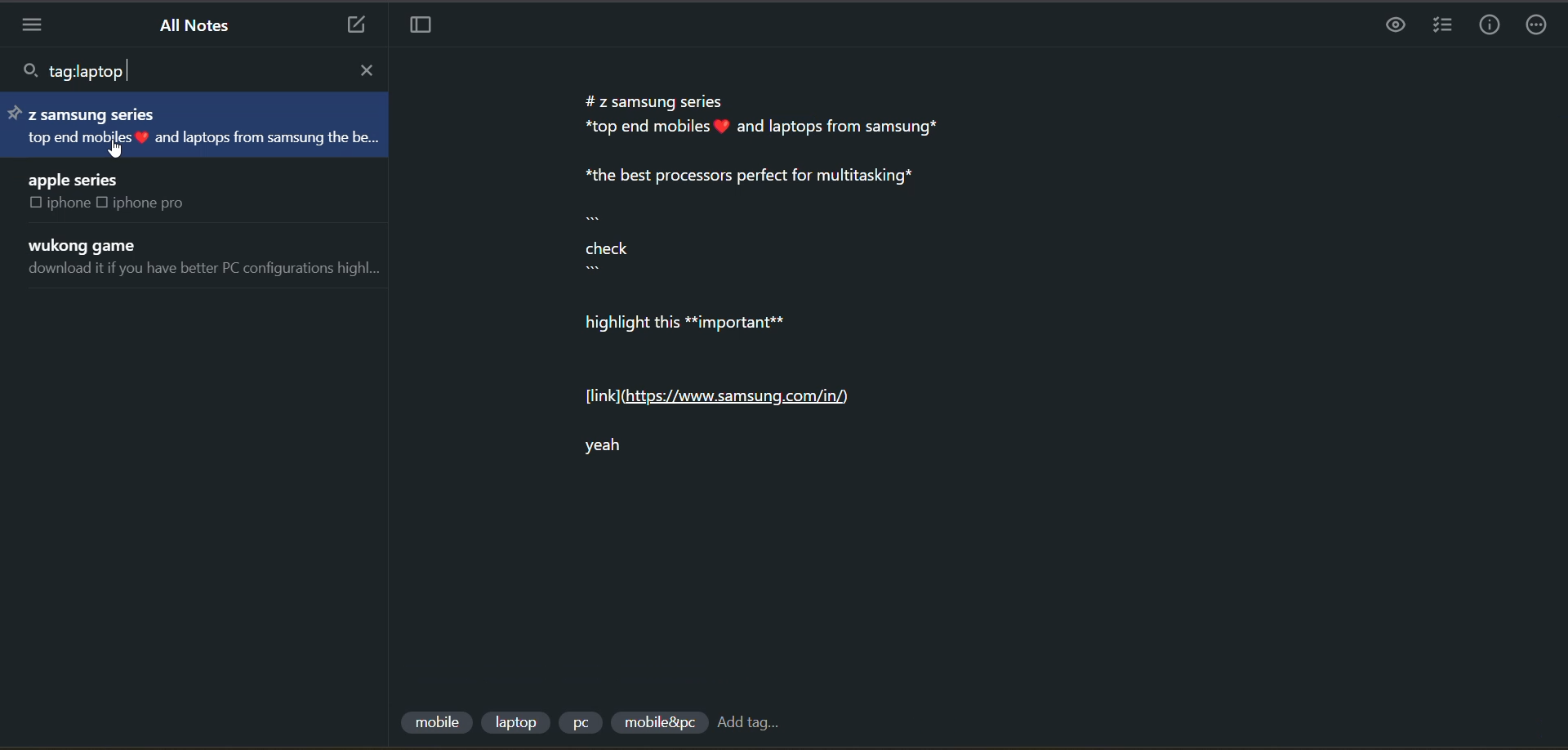  What do you see at coordinates (755, 724) in the screenshot?
I see `add tag` at bounding box center [755, 724].